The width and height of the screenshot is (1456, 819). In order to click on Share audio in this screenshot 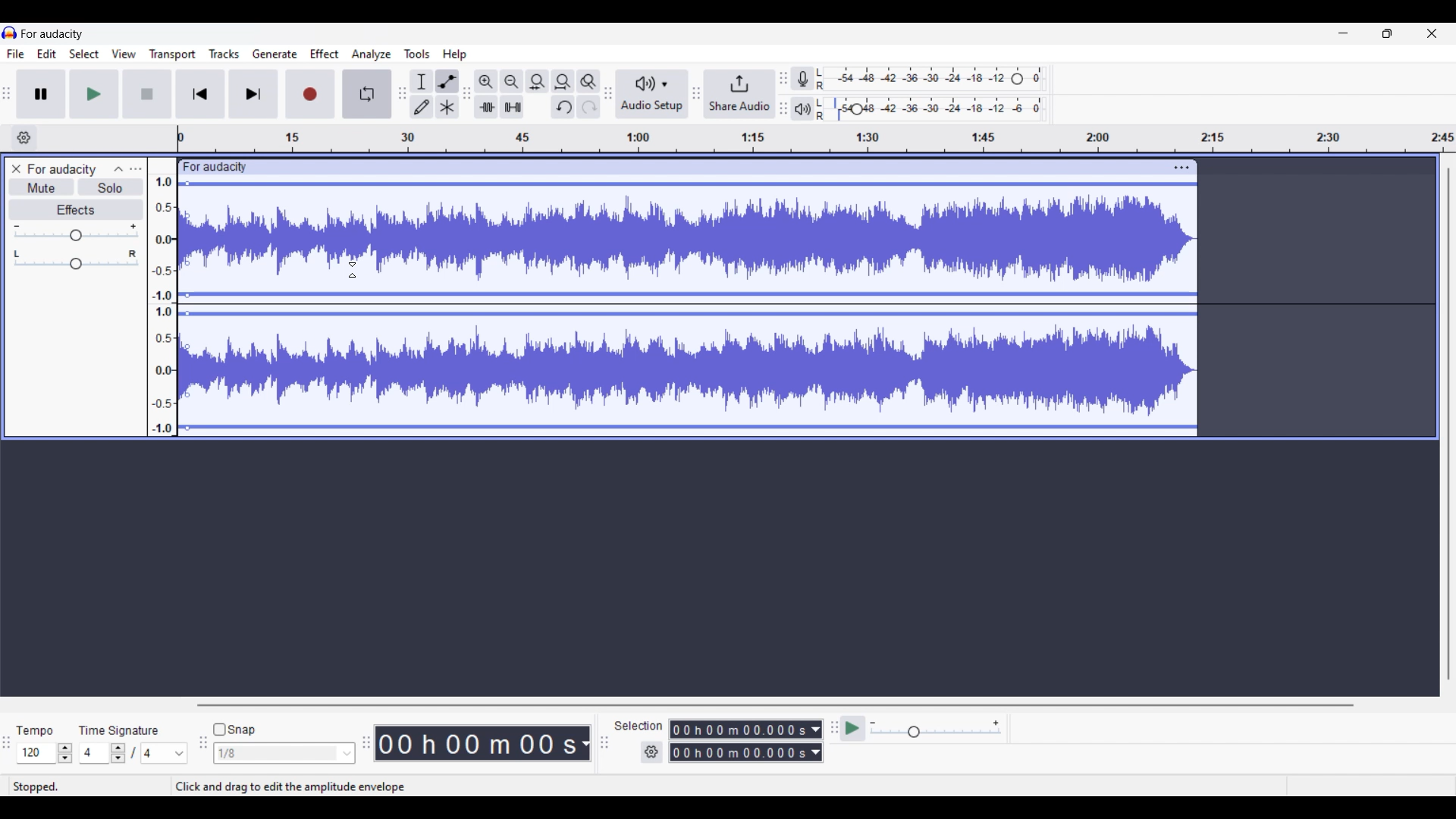, I will do `click(740, 93)`.